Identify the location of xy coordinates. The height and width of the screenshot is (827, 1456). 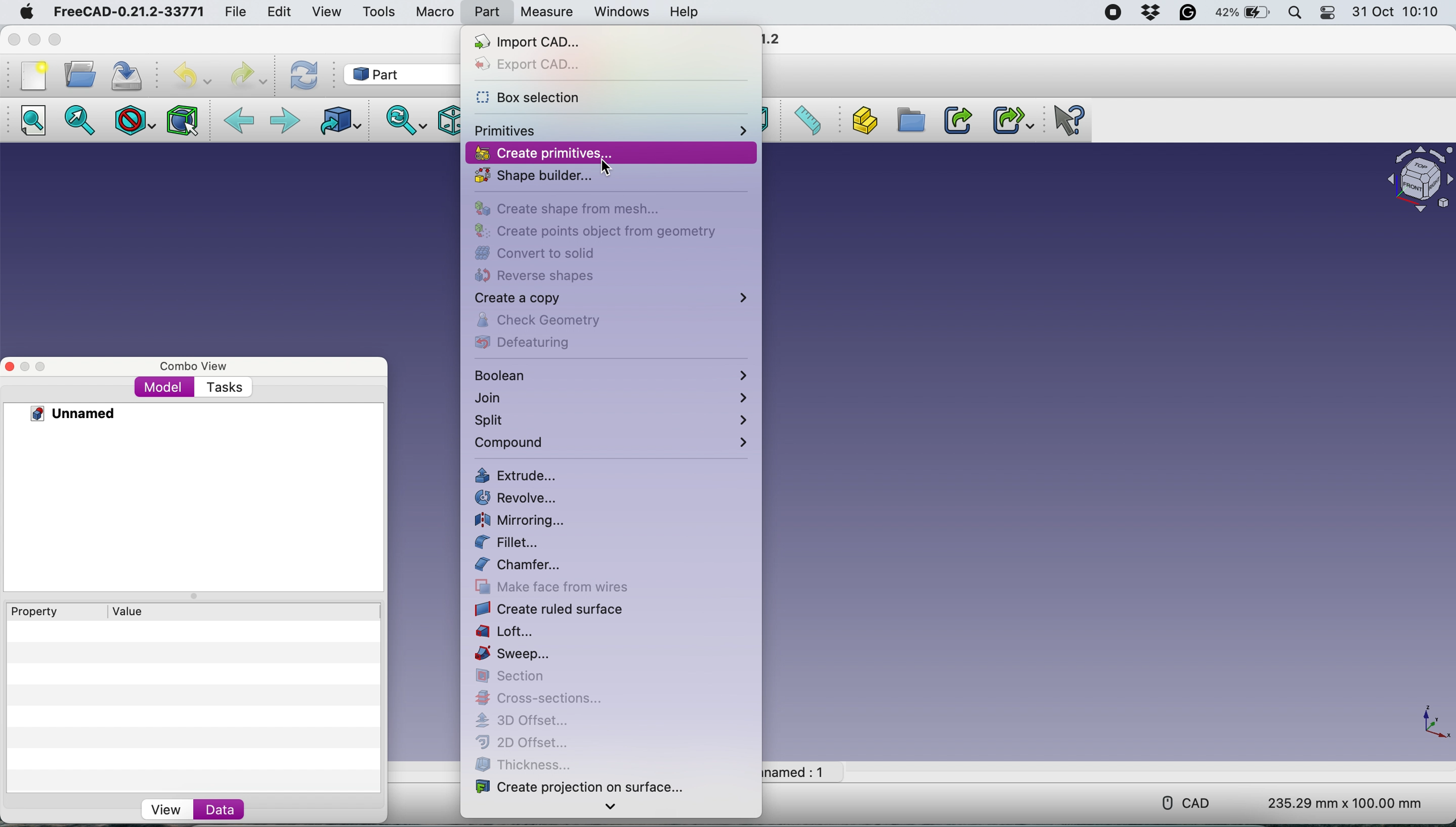
(1430, 722).